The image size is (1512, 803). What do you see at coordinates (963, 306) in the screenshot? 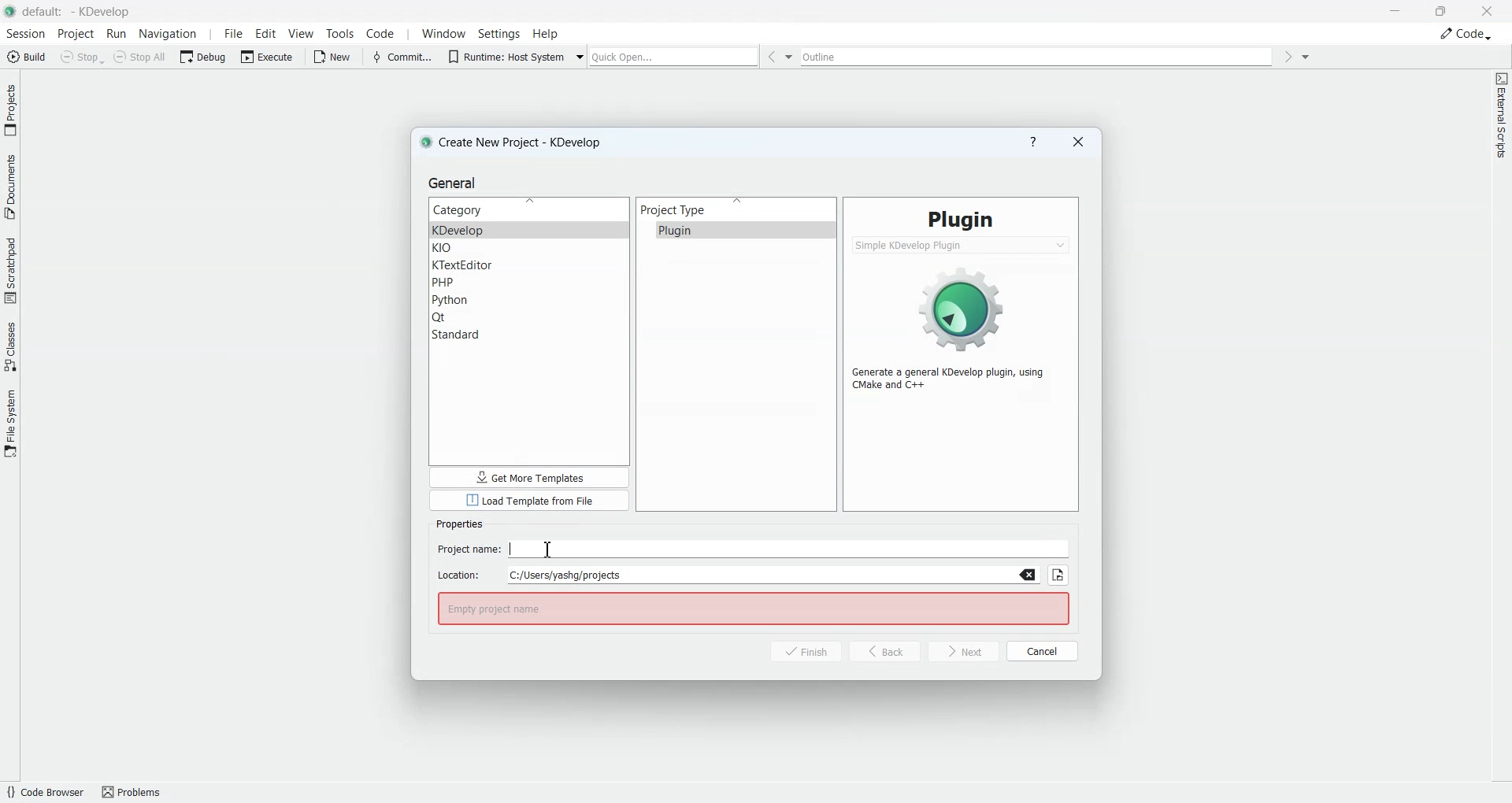
I see `Logo` at bounding box center [963, 306].